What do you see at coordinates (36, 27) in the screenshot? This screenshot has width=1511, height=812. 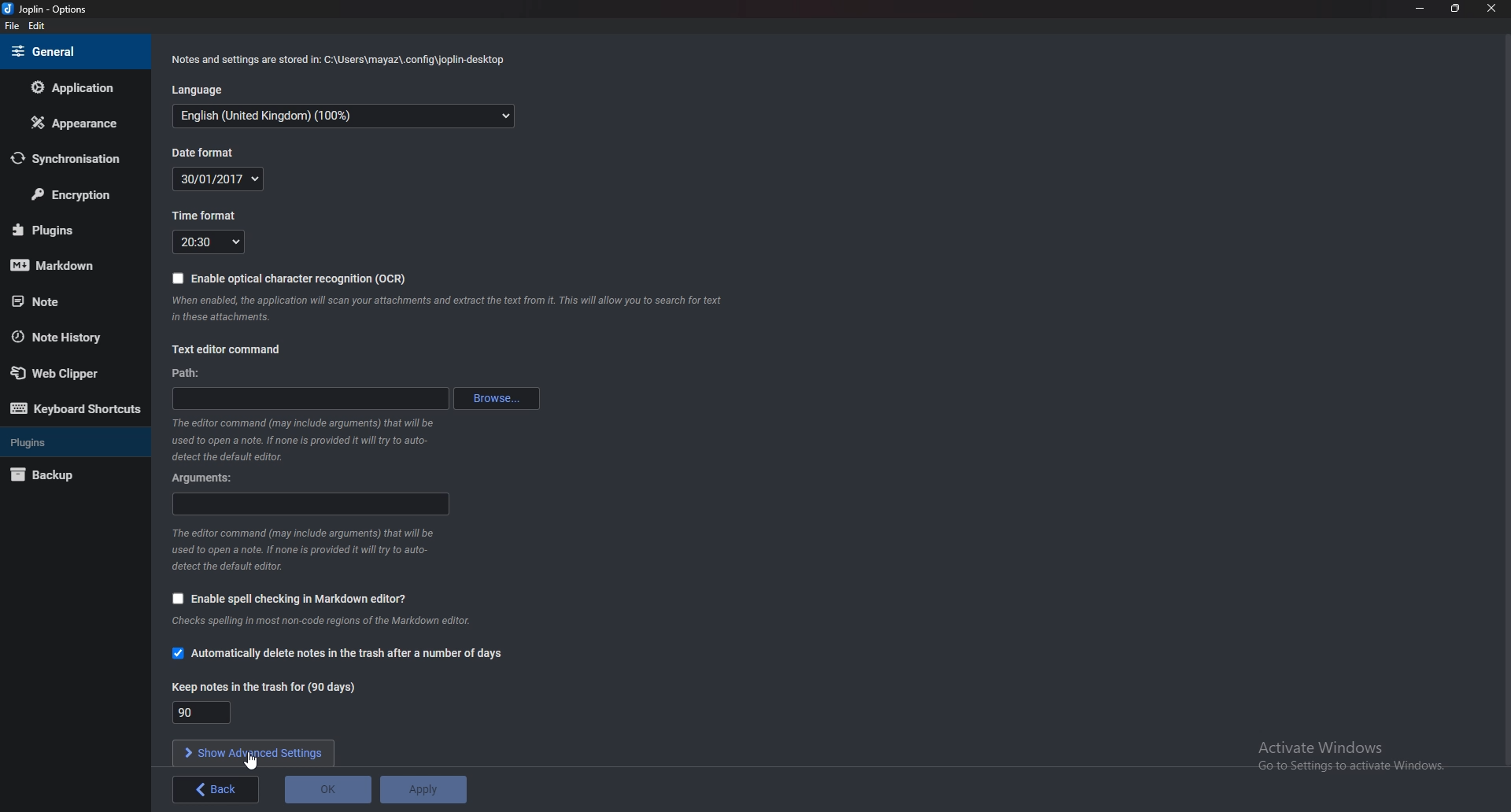 I see `Edit` at bounding box center [36, 27].